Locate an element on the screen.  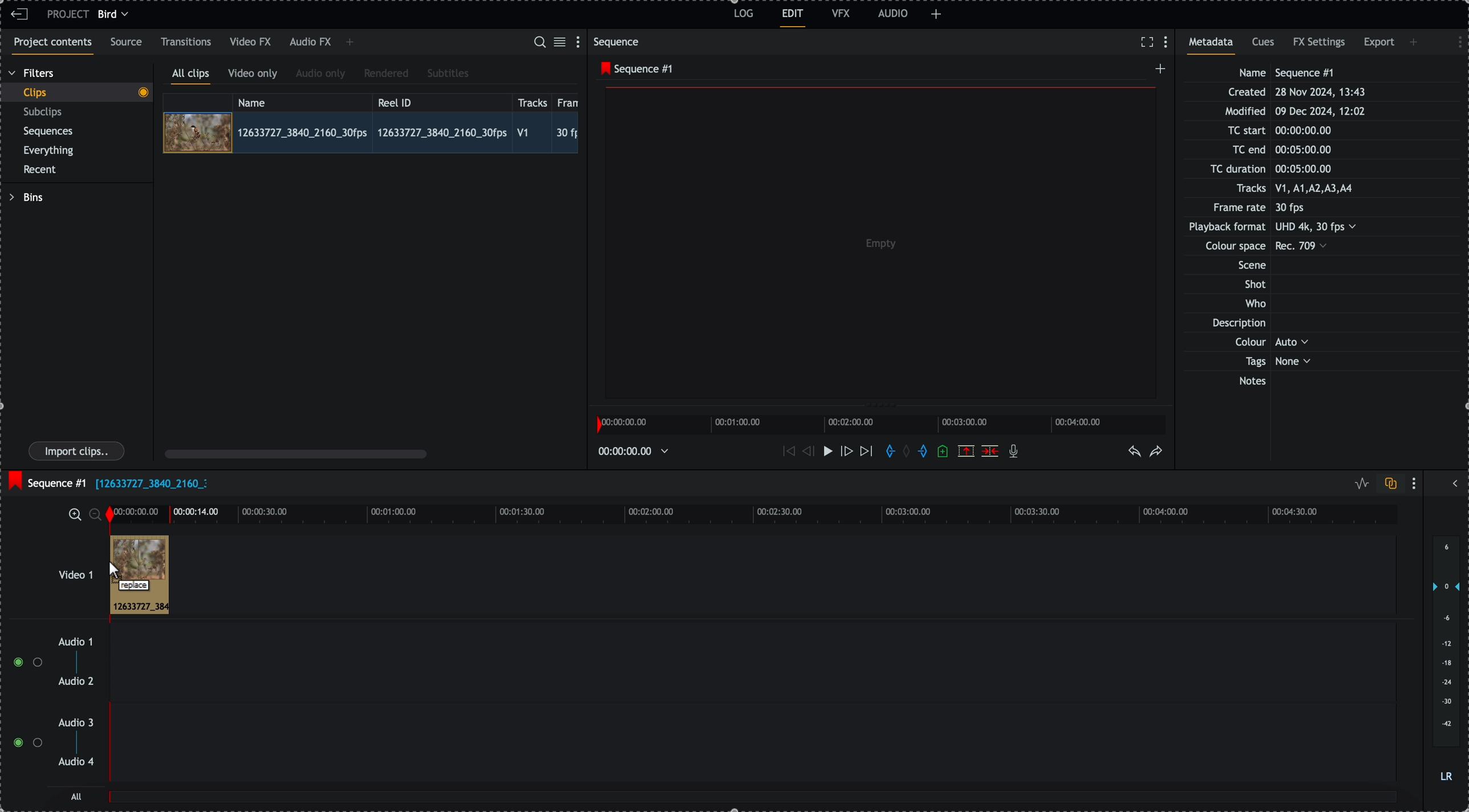
show settings menu is located at coordinates (1168, 43).